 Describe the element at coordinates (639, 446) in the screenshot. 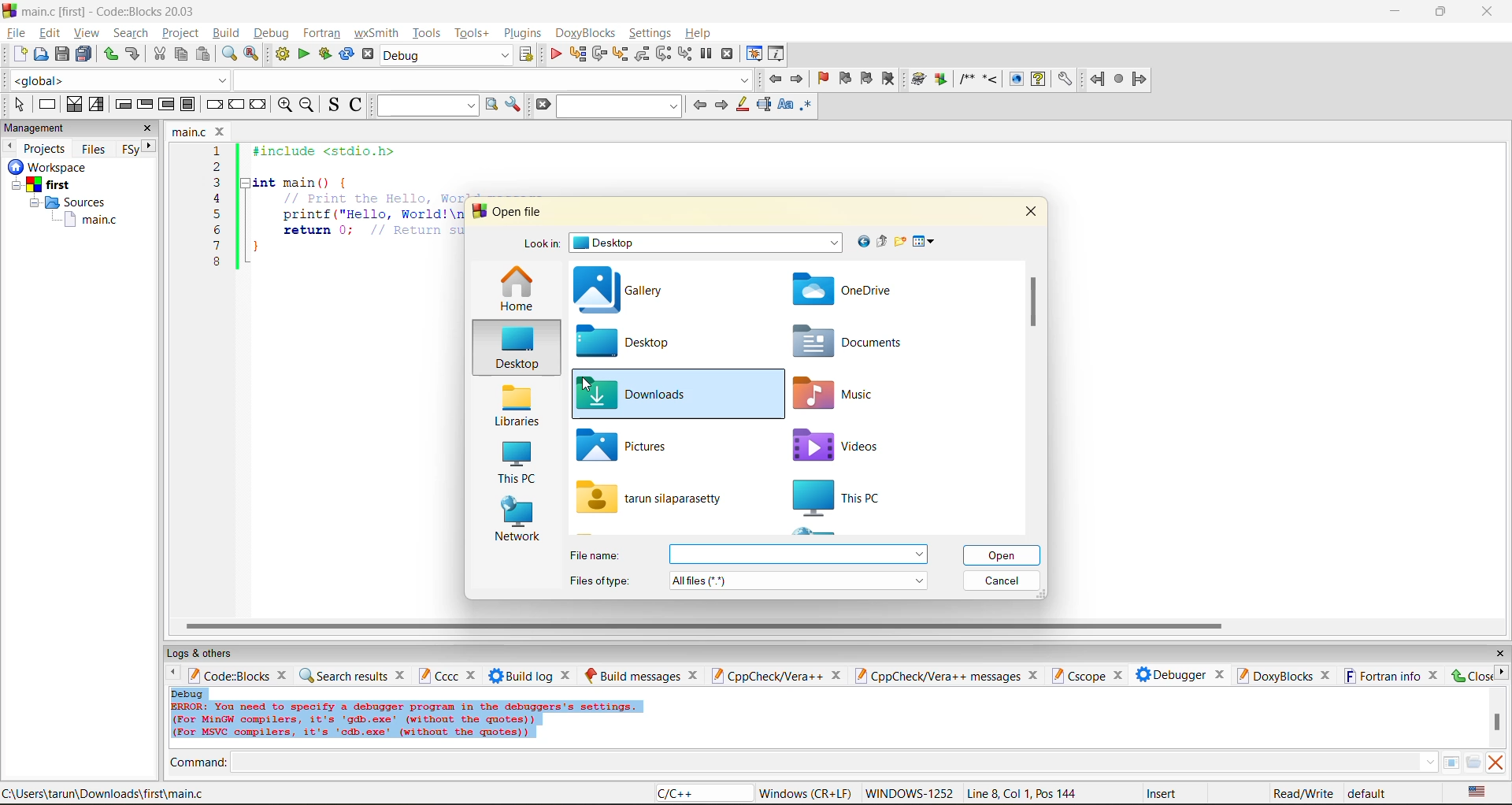

I see `pictures` at that location.